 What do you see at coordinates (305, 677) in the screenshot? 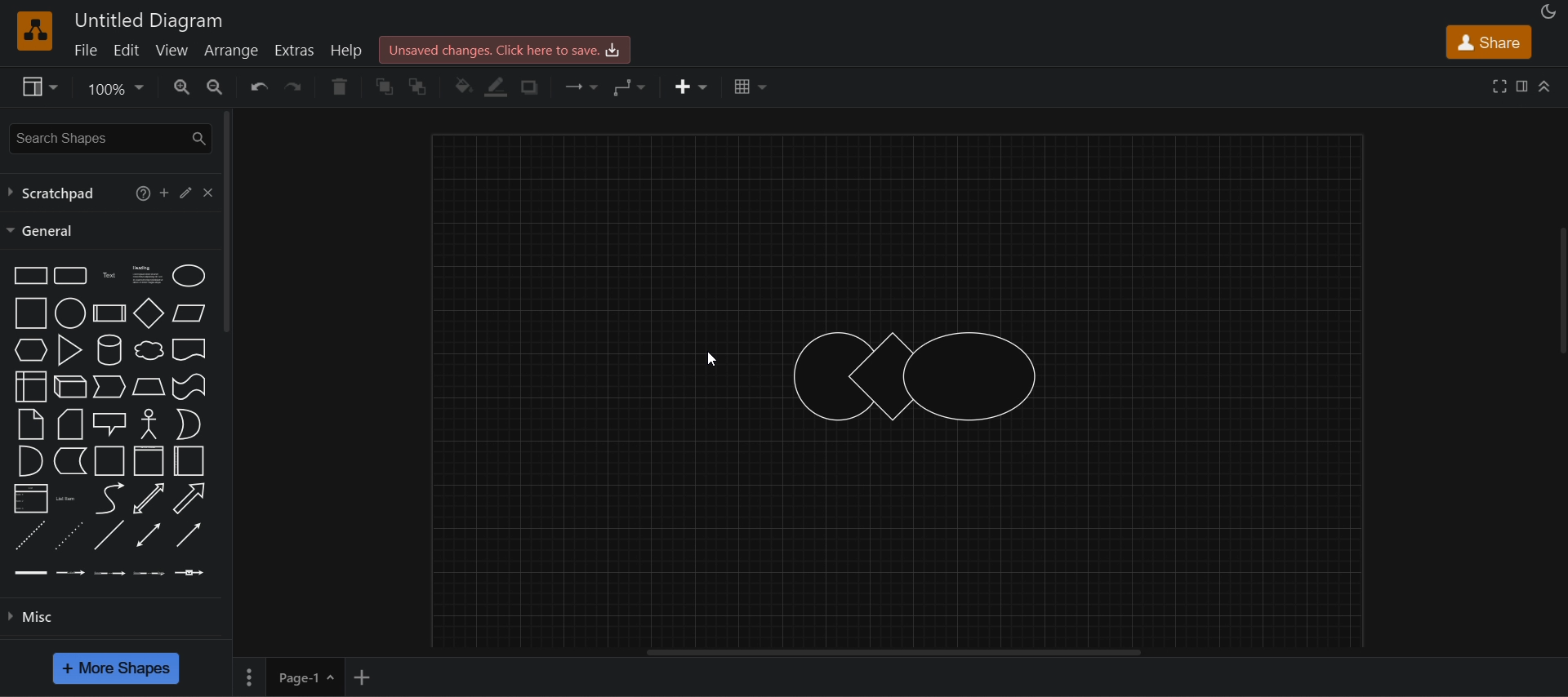
I see `page 1` at bounding box center [305, 677].